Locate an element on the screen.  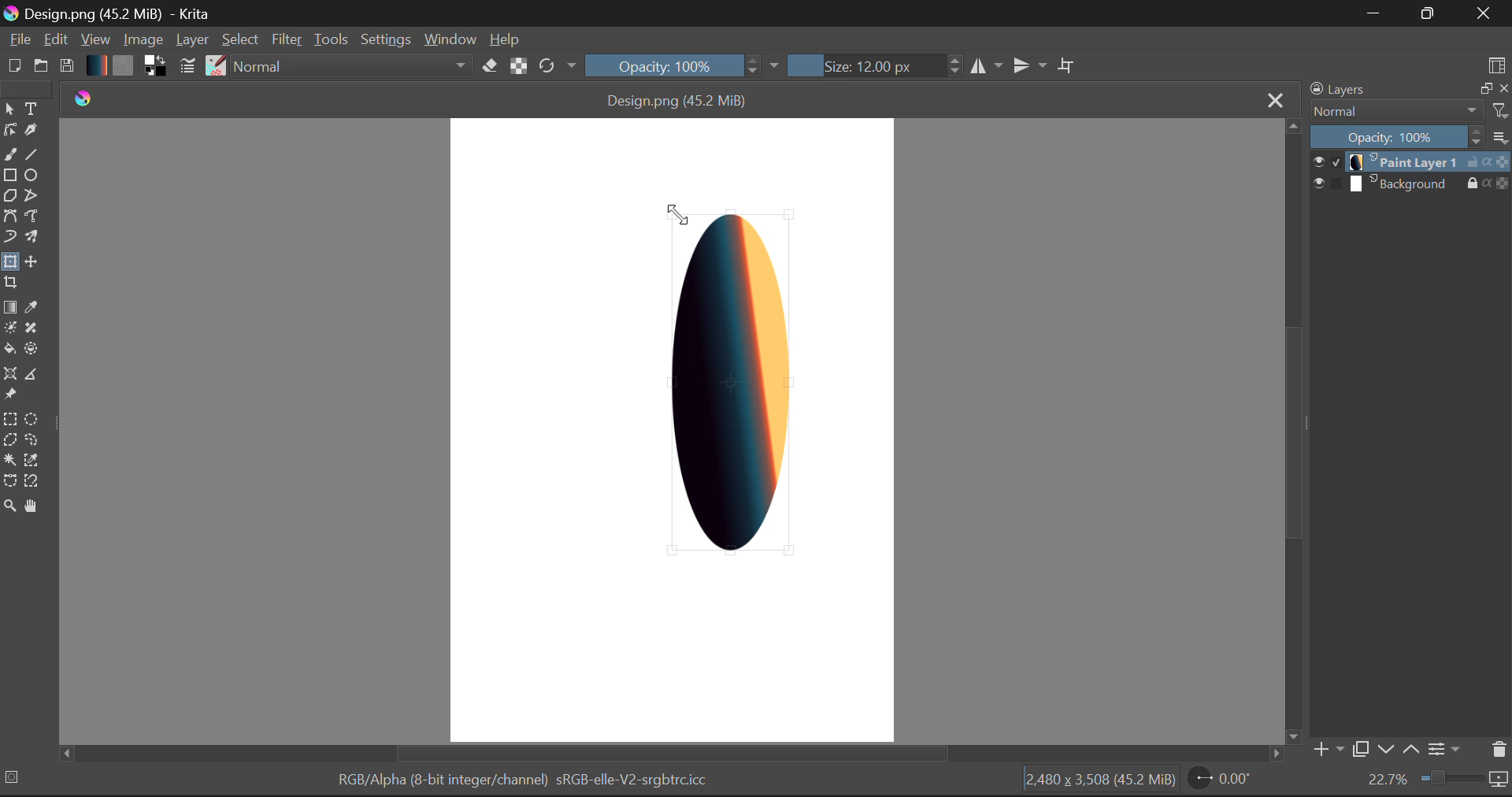
Freehand Selection is located at coordinates (30, 440).